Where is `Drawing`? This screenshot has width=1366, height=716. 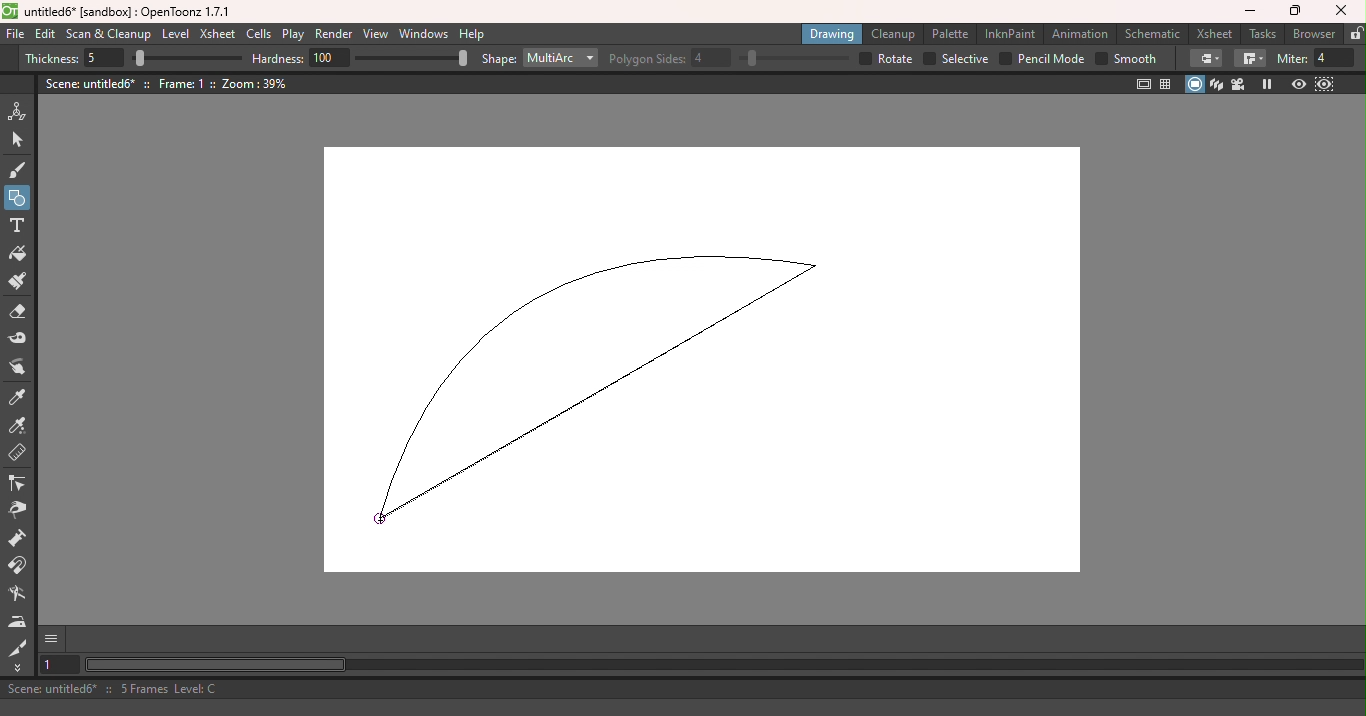 Drawing is located at coordinates (832, 34).